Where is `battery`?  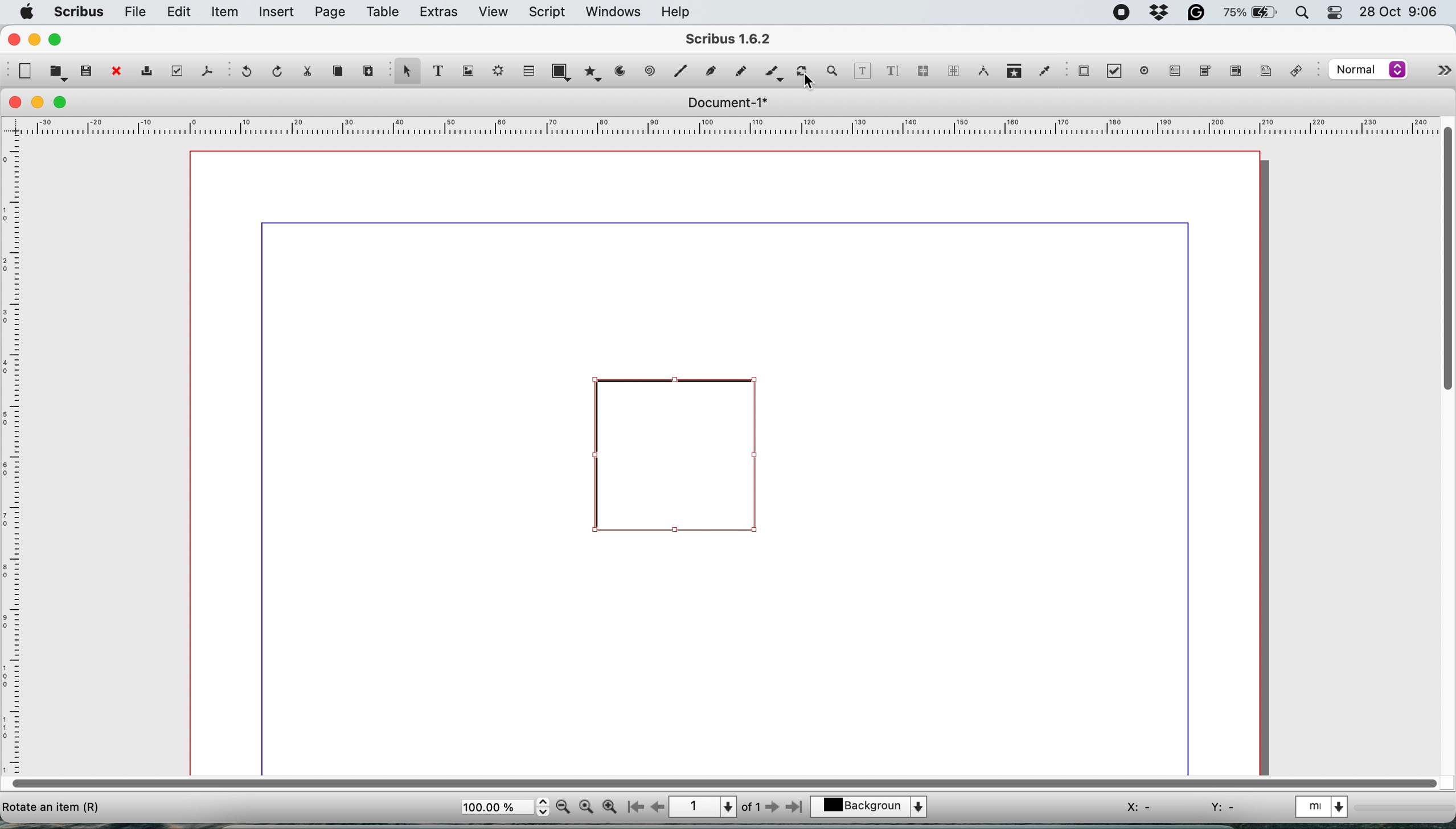
battery is located at coordinates (1248, 14).